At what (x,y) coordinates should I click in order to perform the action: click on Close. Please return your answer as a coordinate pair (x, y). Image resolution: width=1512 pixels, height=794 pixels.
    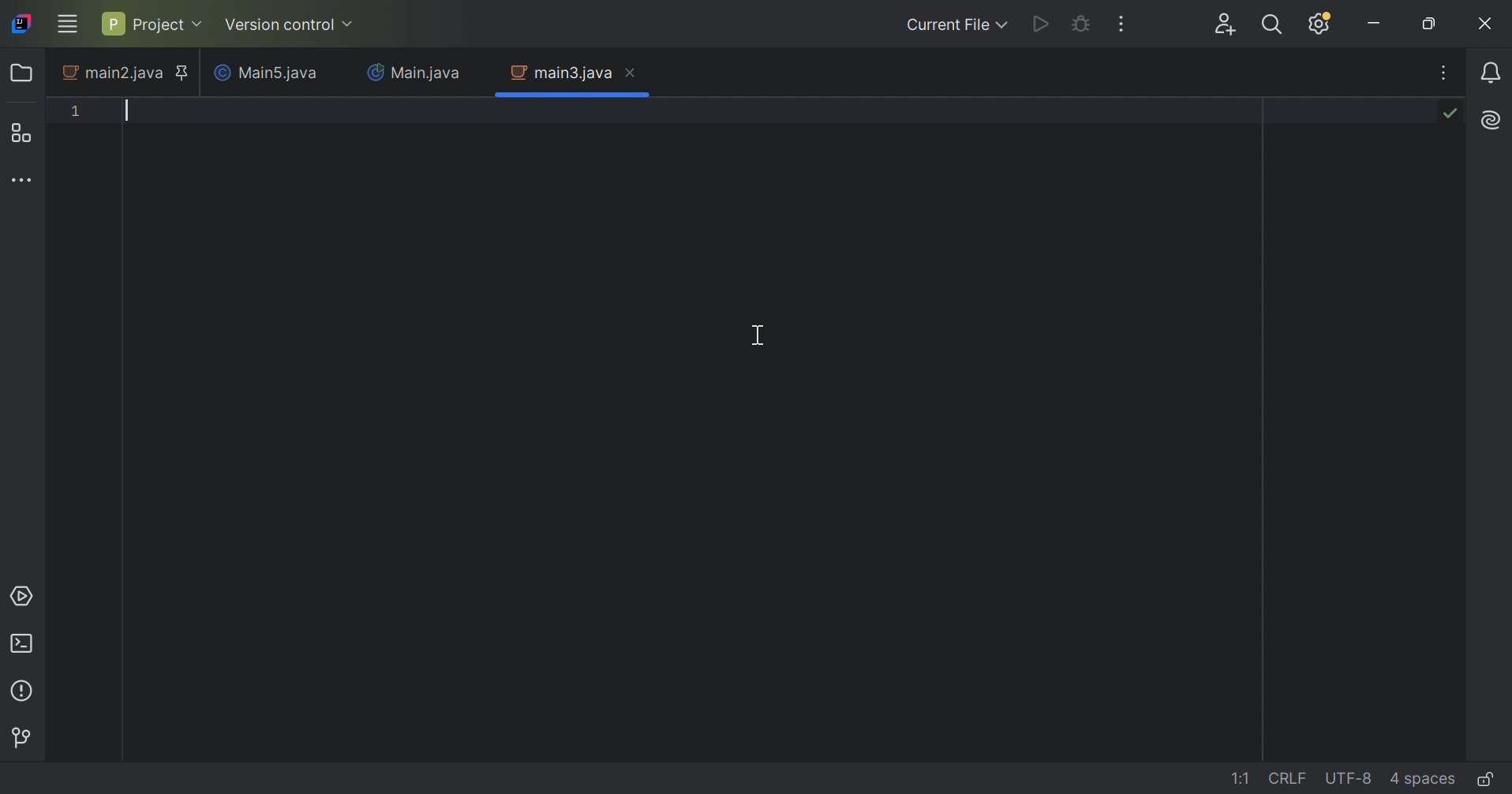
    Looking at the image, I should click on (632, 73).